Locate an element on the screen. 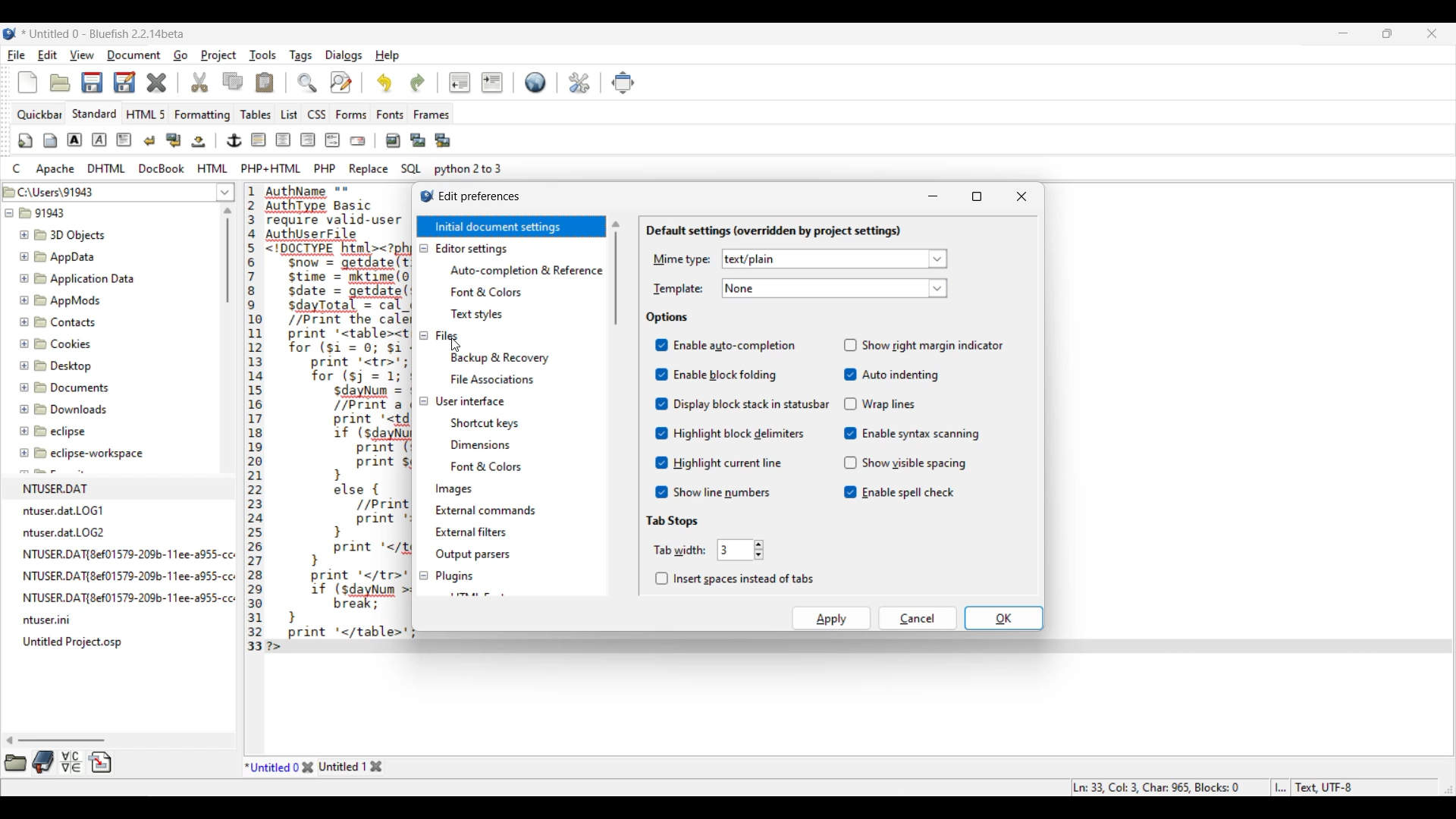  Apply is located at coordinates (831, 618).